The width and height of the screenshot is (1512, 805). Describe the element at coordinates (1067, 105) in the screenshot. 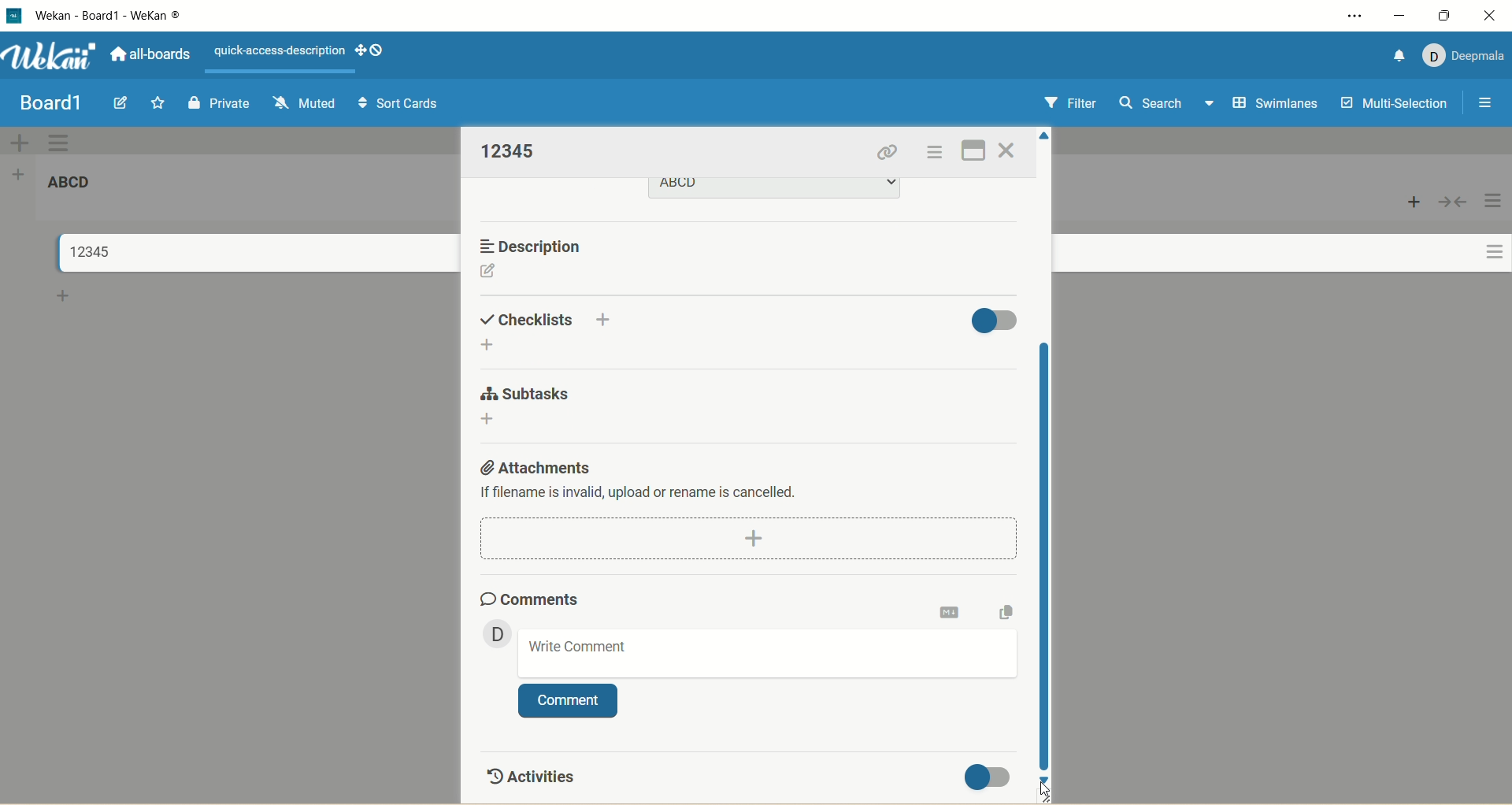

I see `filter` at that location.